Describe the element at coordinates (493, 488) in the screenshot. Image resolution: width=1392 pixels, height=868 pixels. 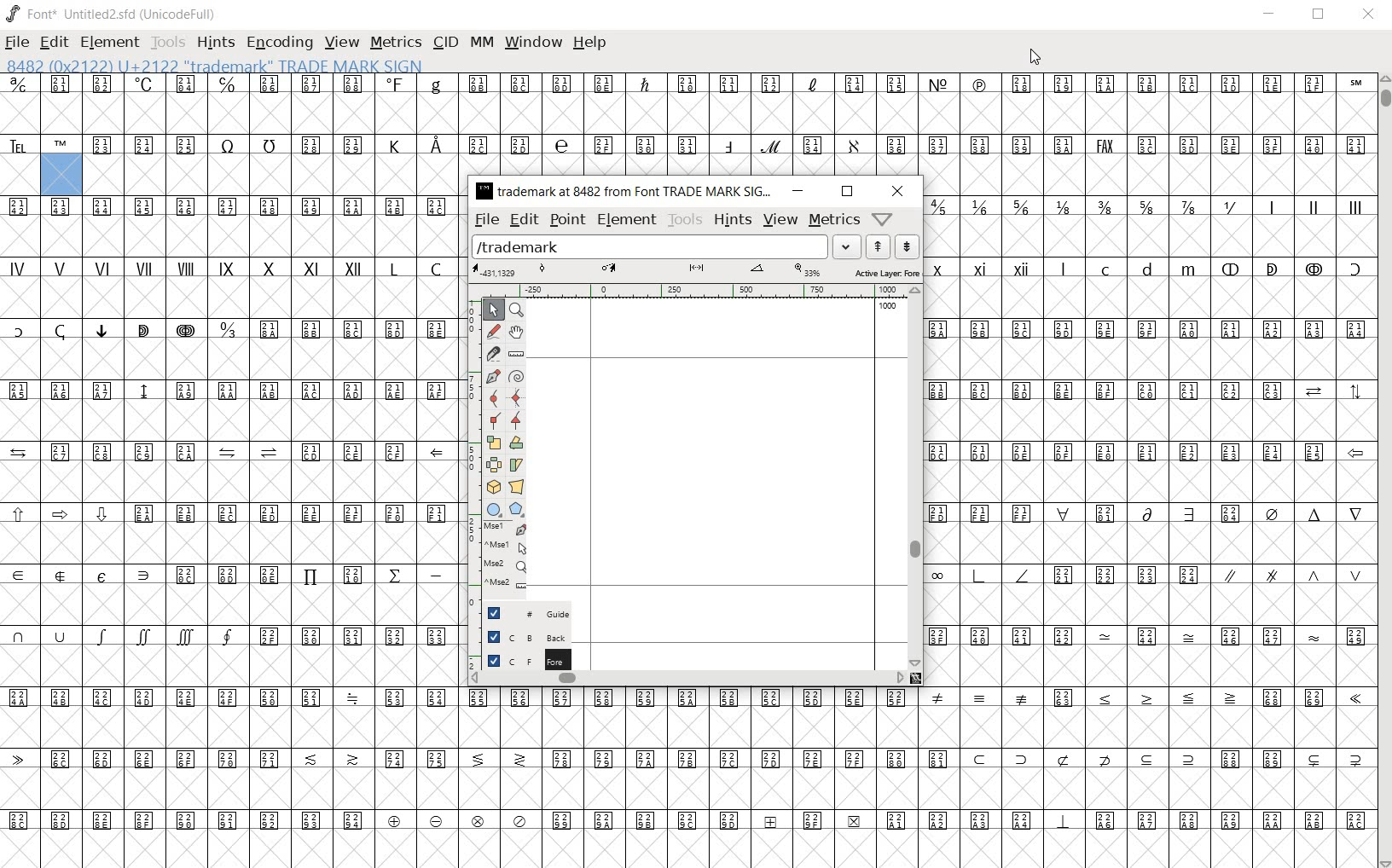
I see `rotate the selection in 3D and project back to plane` at that location.